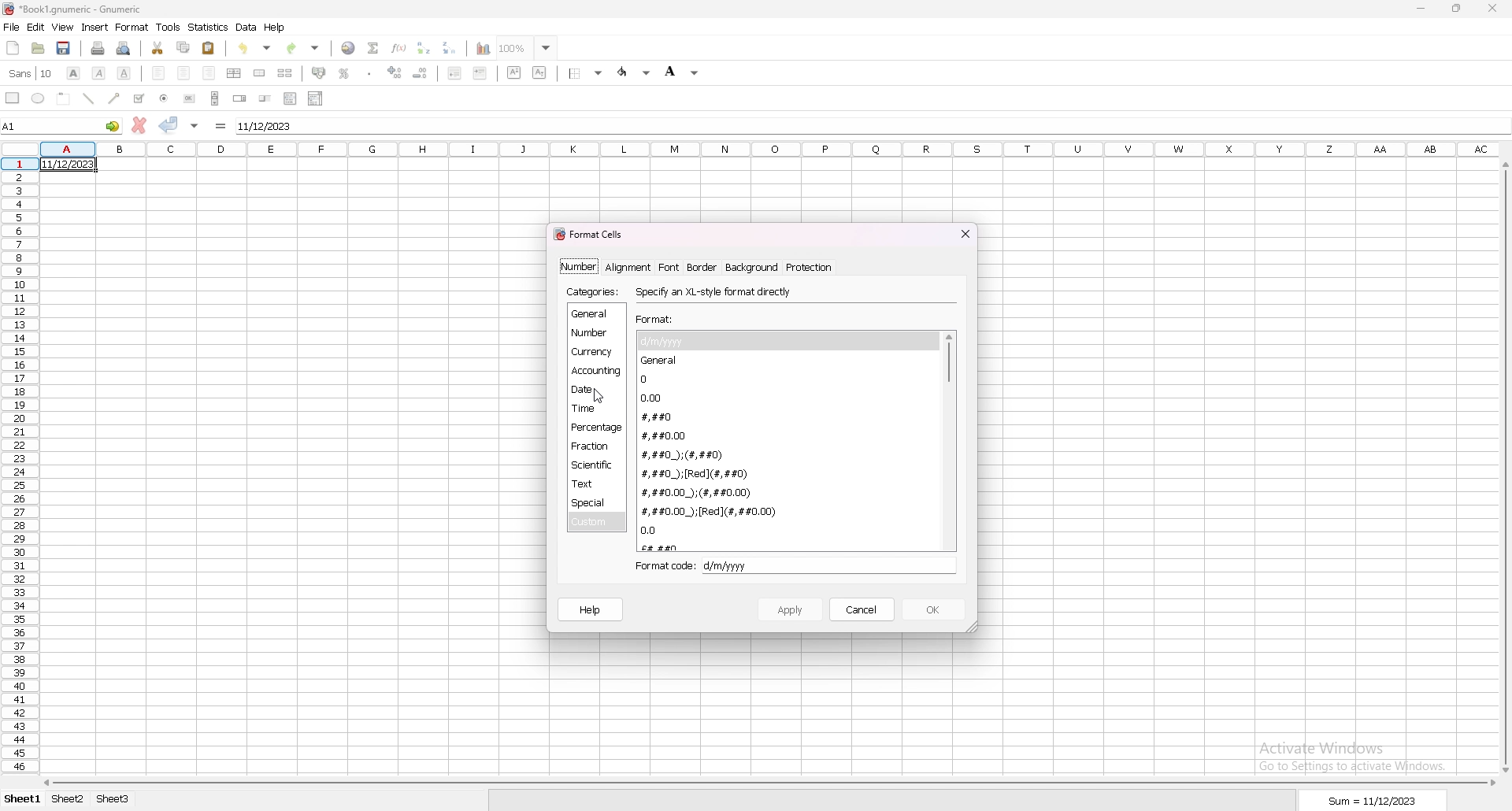 This screenshot has width=1512, height=811. What do you see at coordinates (116, 98) in the screenshot?
I see `arrowed line` at bounding box center [116, 98].